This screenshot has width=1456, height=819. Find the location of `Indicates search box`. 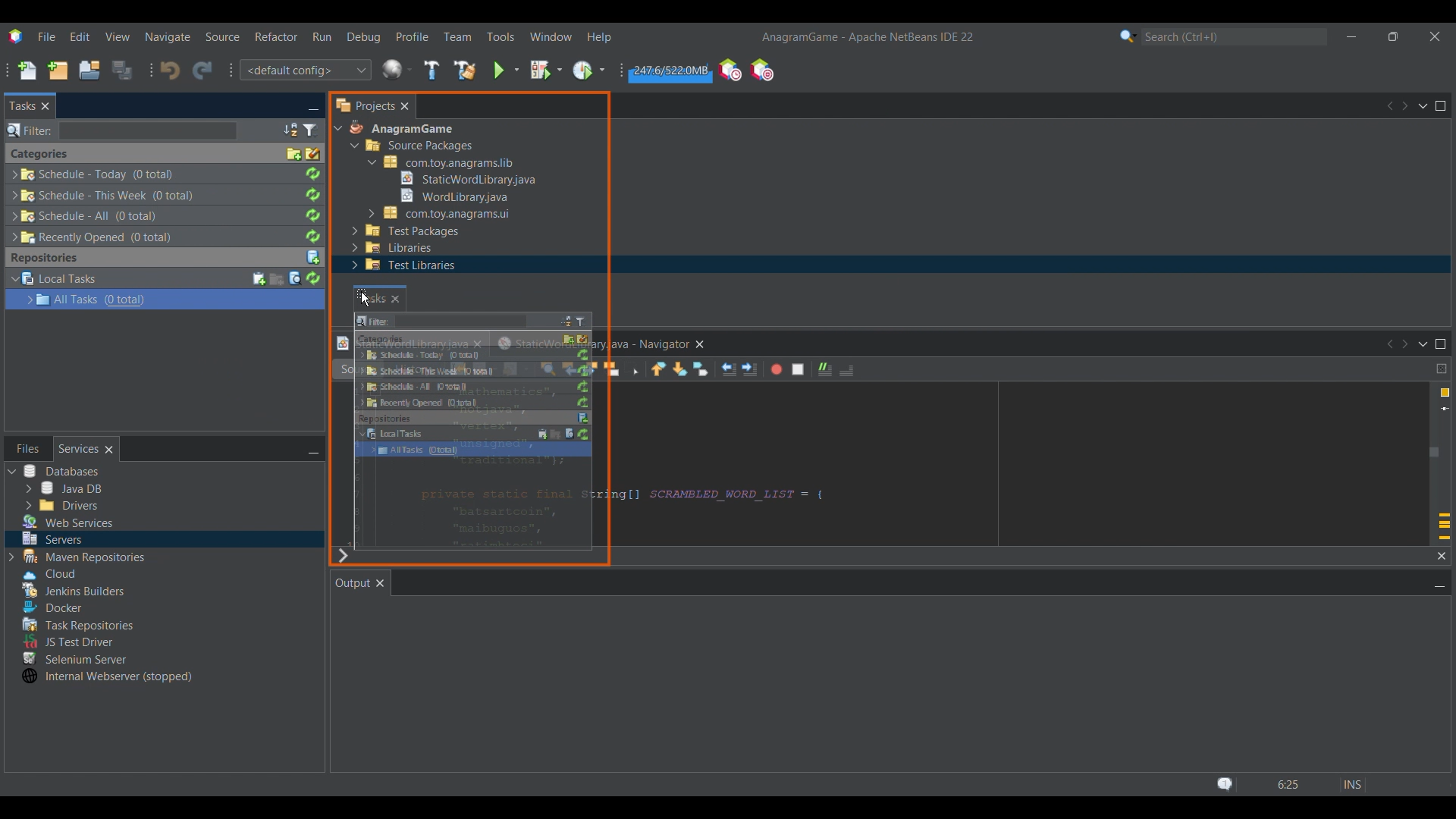

Indicates search box is located at coordinates (30, 130).